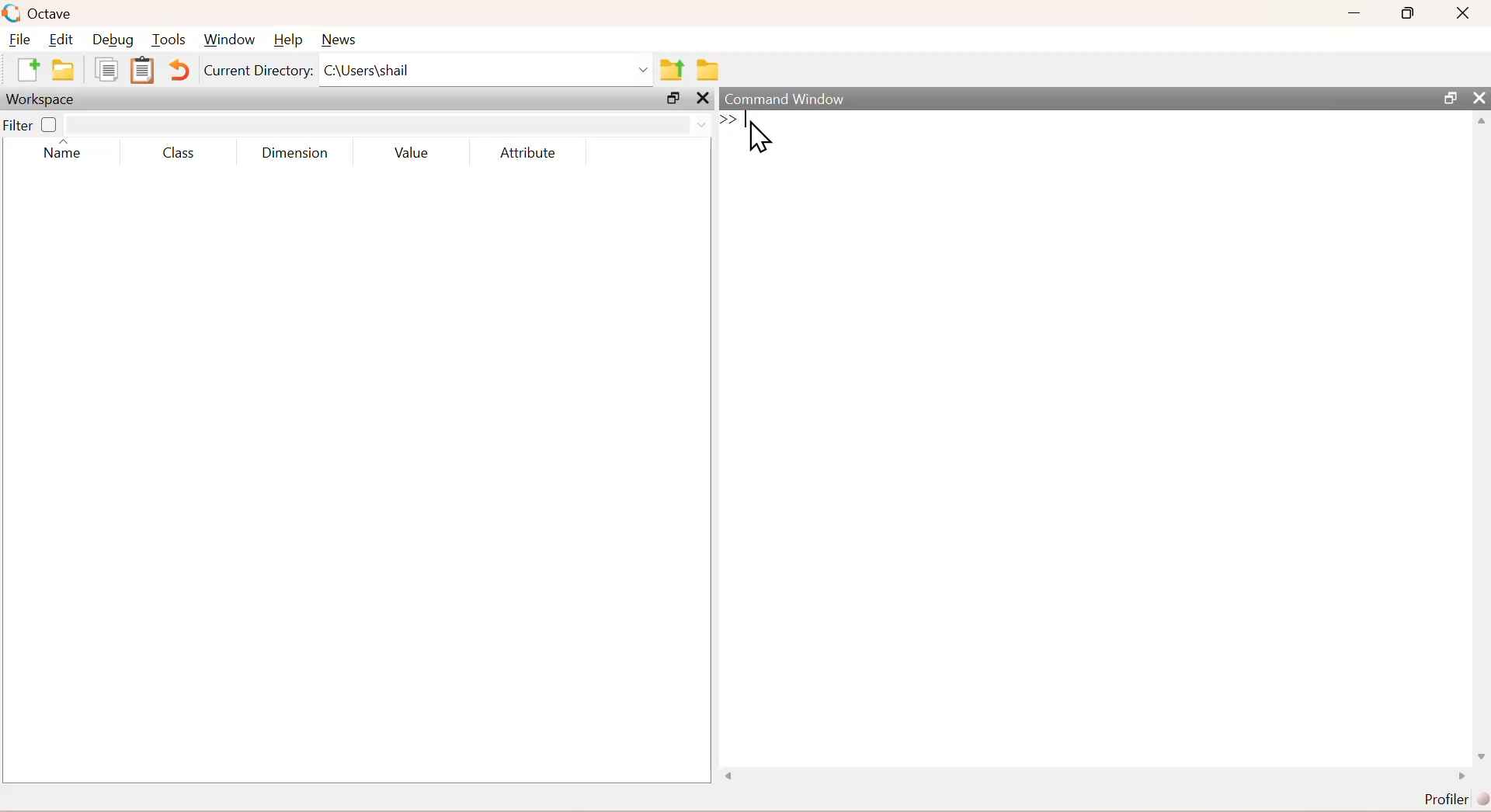  What do you see at coordinates (177, 71) in the screenshot?
I see `Undo` at bounding box center [177, 71].